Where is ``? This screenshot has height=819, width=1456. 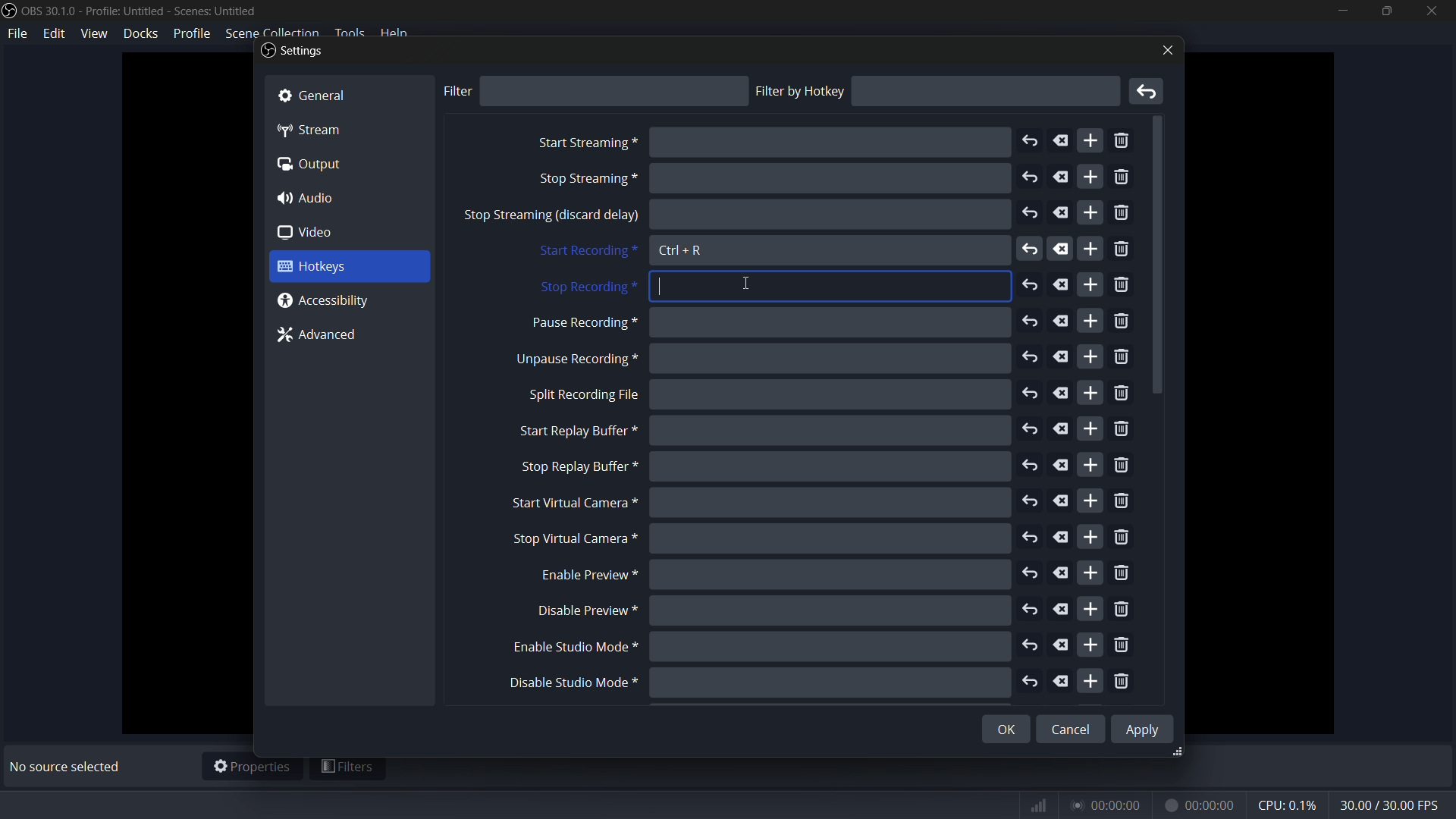
 is located at coordinates (1061, 177).